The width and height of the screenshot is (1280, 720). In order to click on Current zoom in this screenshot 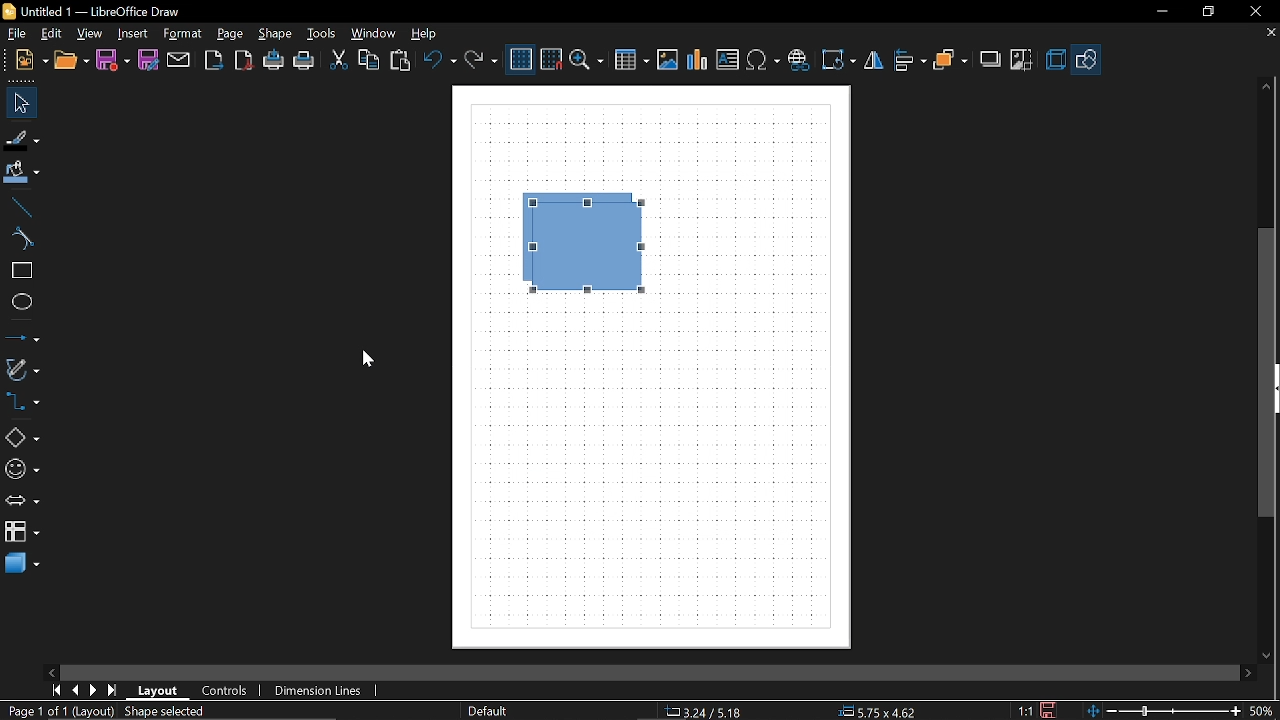, I will do `click(1260, 710)`.